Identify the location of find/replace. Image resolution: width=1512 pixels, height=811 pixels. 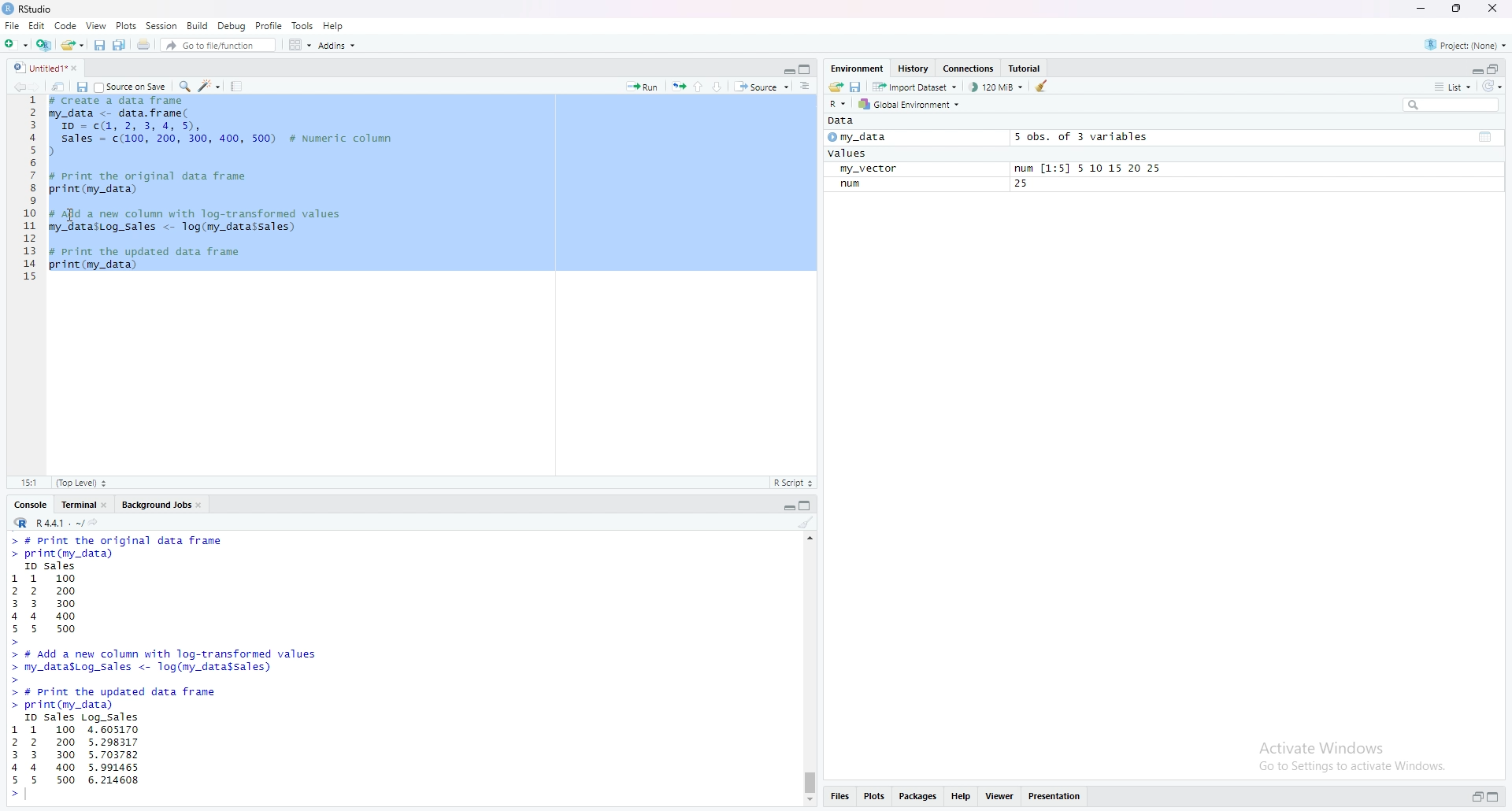
(183, 88).